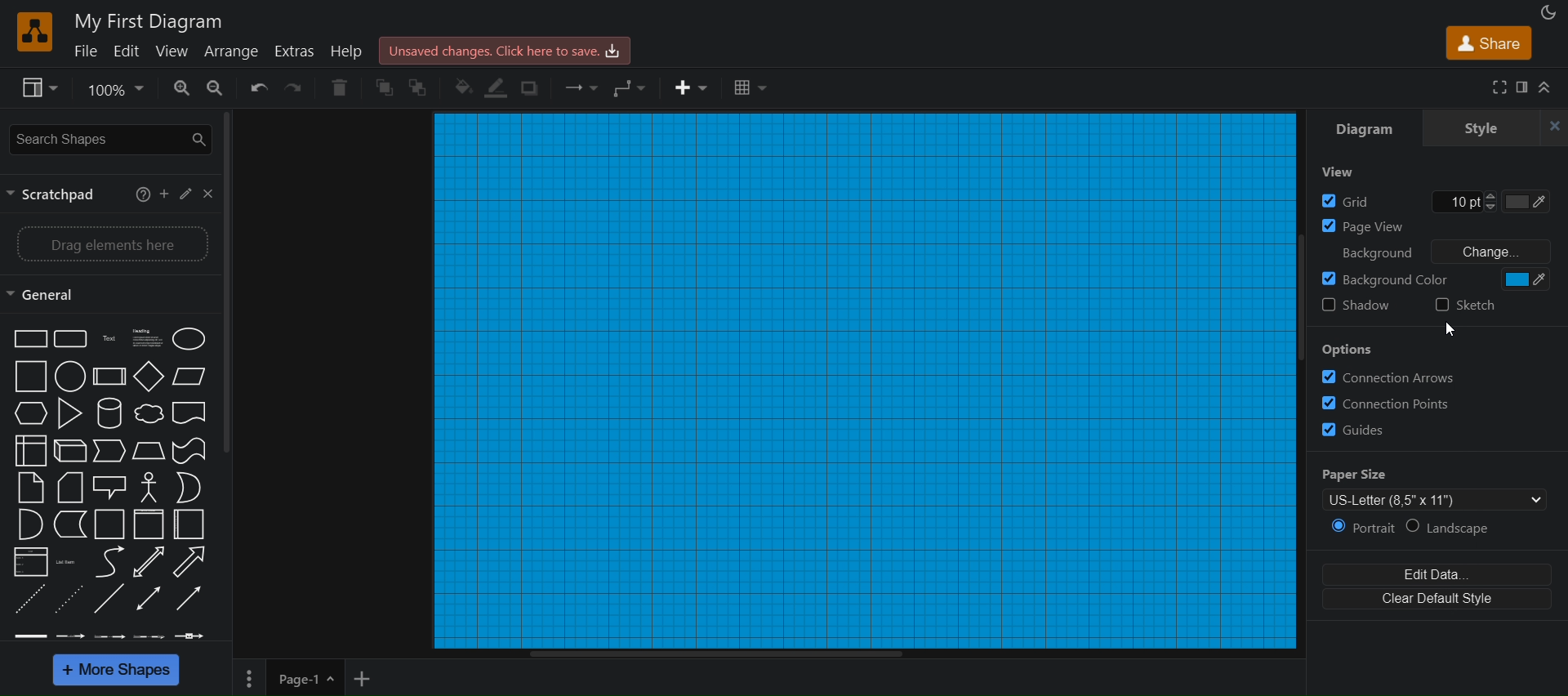 The image size is (1568, 696). What do you see at coordinates (1357, 307) in the screenshot?
I see `shadow` at bounding box center [1357, 307].